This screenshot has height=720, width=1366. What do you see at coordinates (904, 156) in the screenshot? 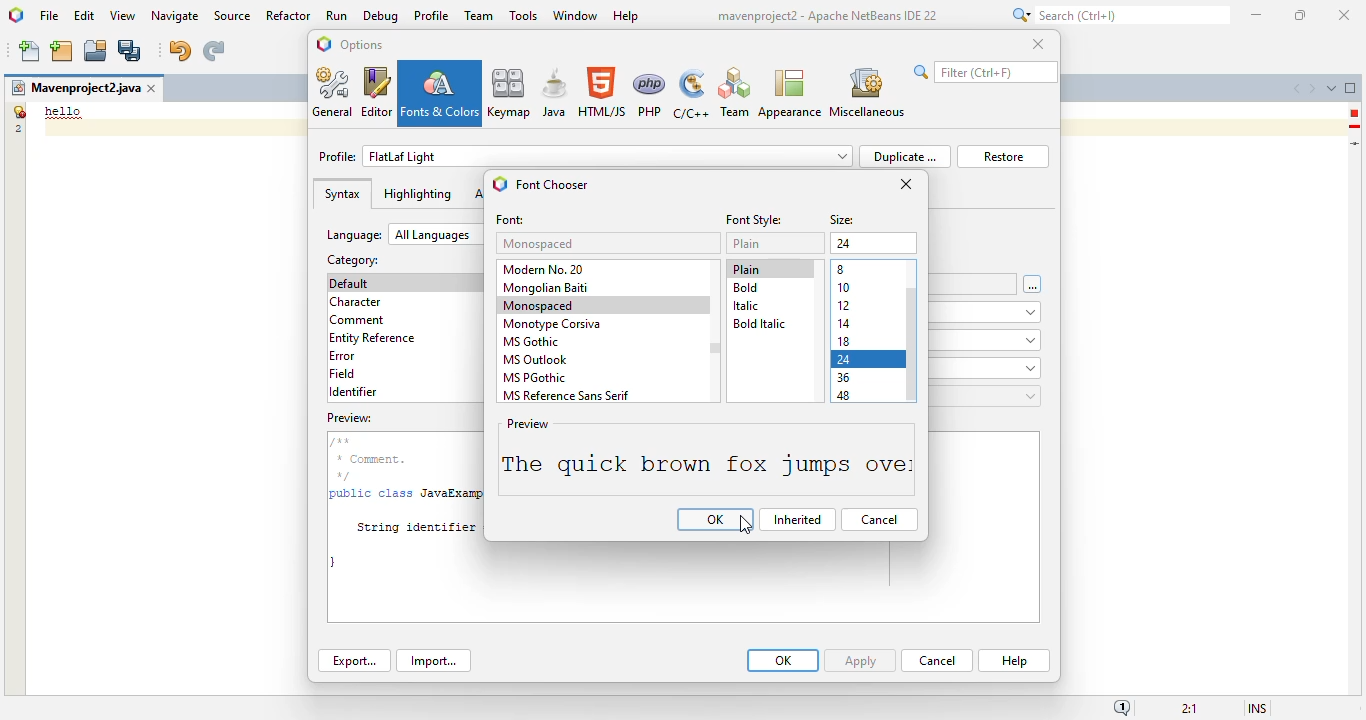
I see `duplicate` at bounding box center [904, 156].